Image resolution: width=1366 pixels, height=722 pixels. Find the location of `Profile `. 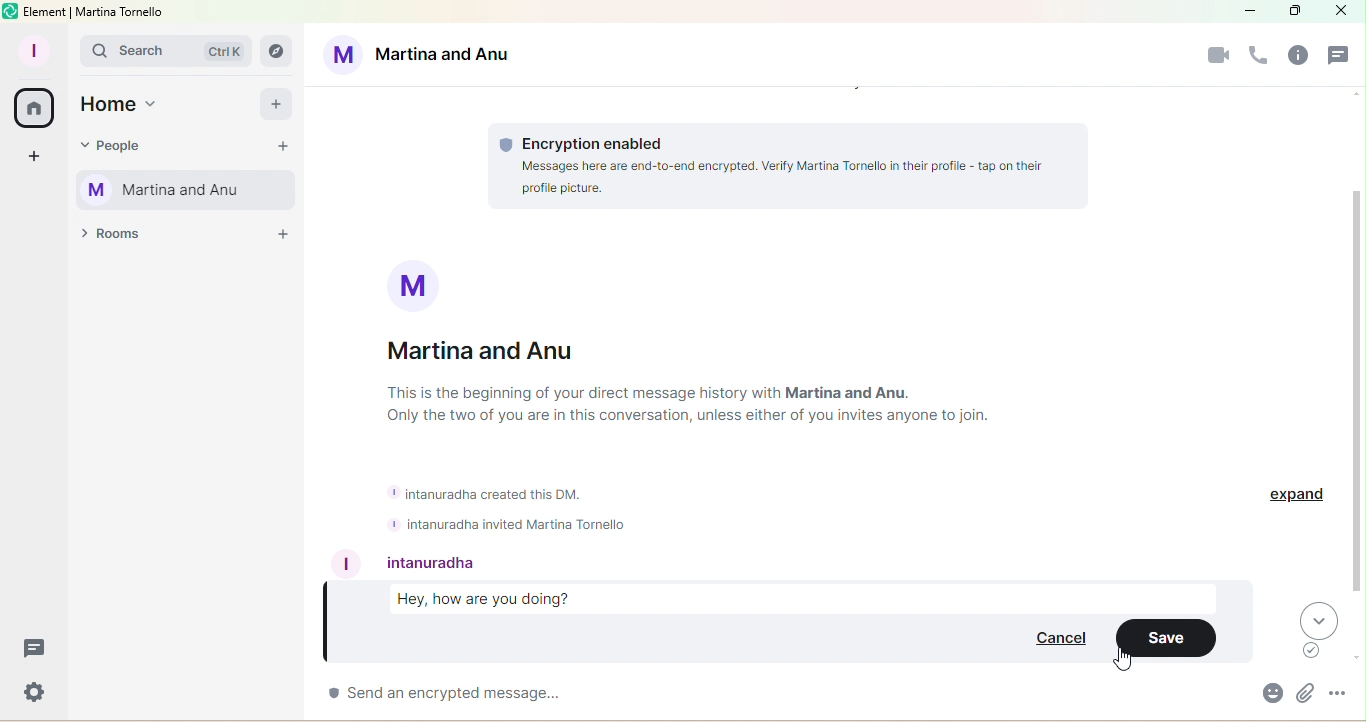

Profile  is located at coordinates (38, 47).